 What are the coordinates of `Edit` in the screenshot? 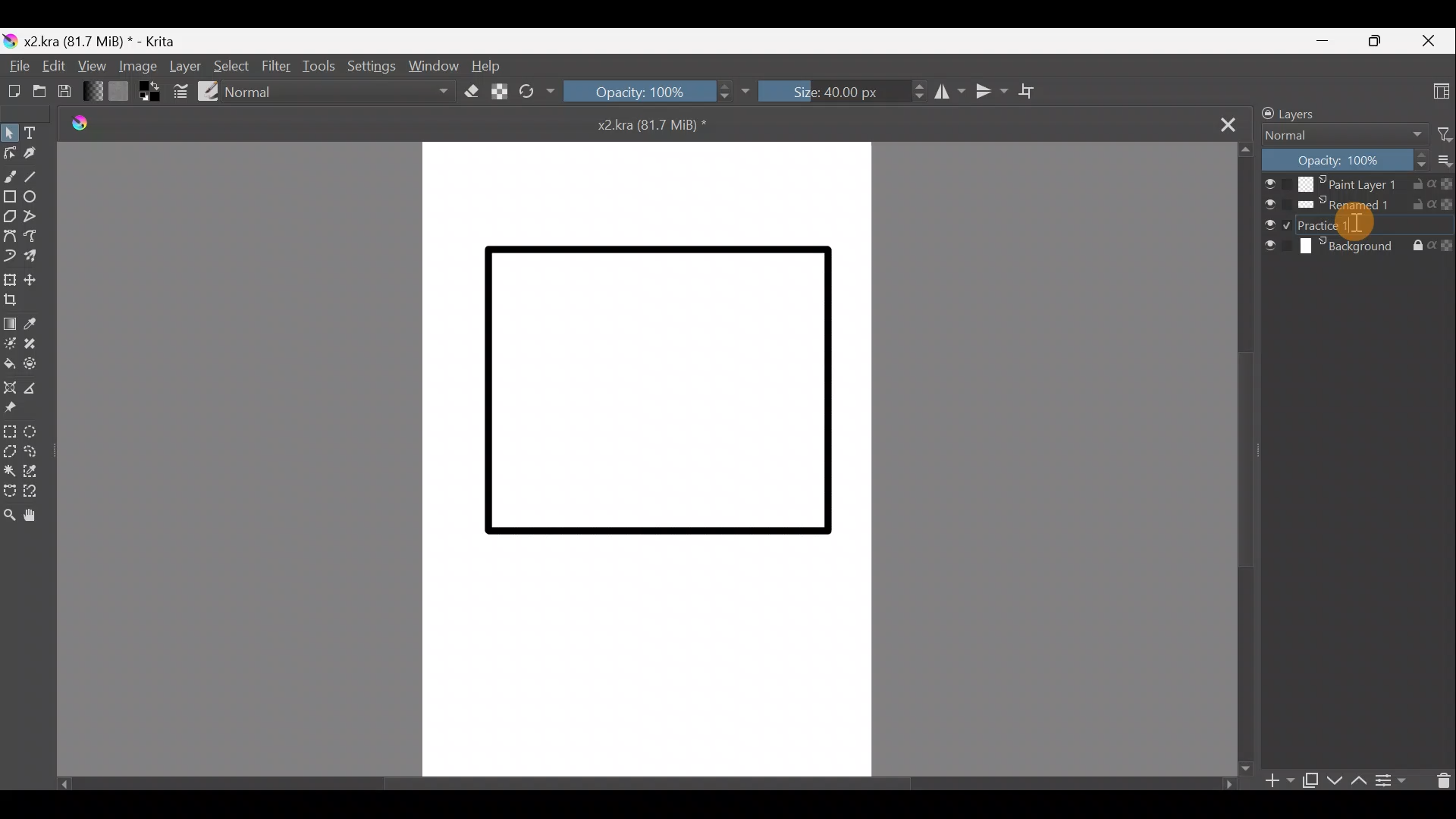 It's located at (52, 65).